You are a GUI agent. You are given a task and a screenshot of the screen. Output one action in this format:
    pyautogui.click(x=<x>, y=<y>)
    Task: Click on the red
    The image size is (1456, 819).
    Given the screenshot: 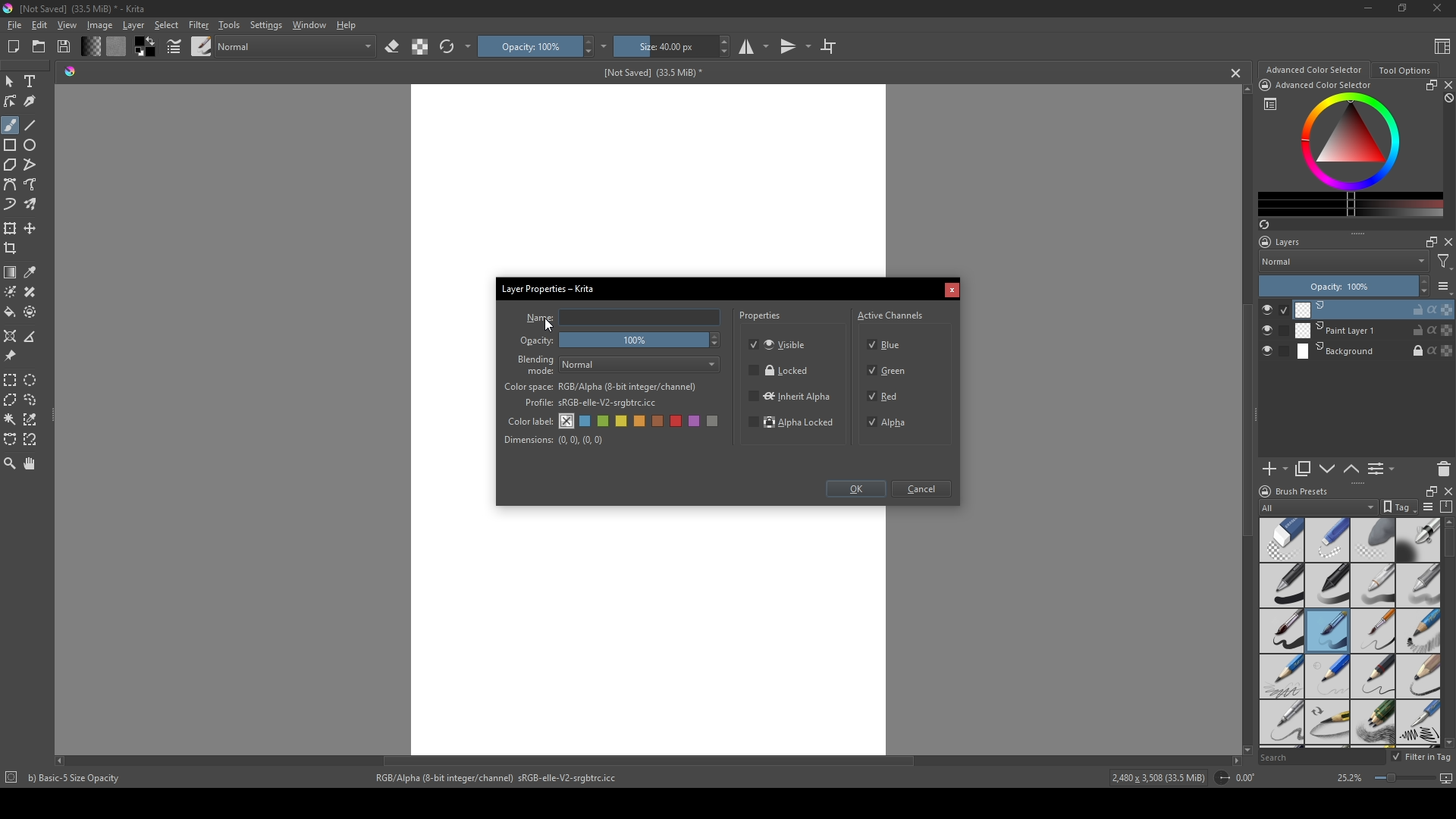 What is the action you would take?
    pyautogui.click(x=678, y=421)
    